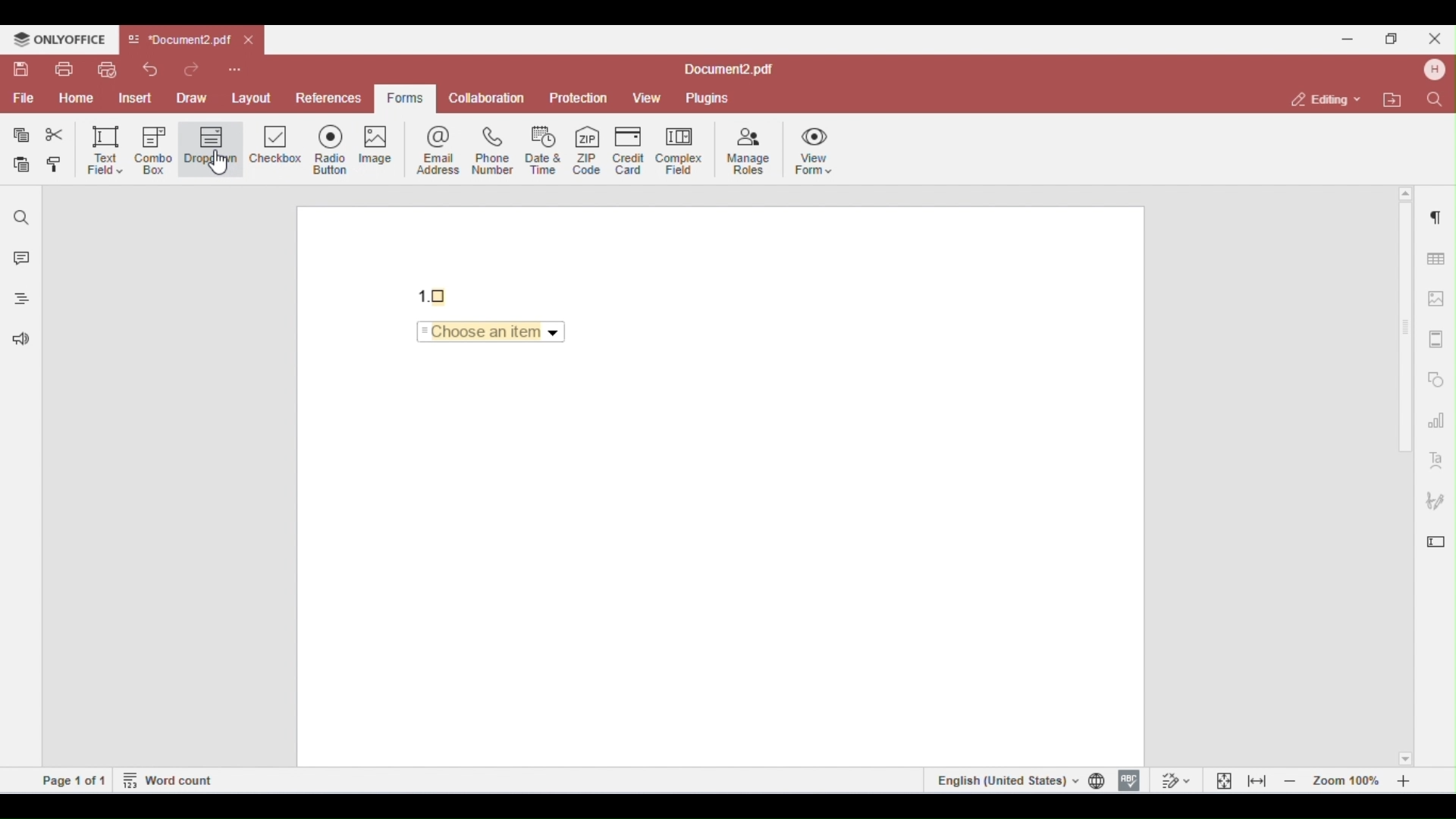 Image resolution: width=1456 pixels, height=819 pixels. Describe the element at coordinates (1327, 99) in the screenshot. I see `editing` at that location.